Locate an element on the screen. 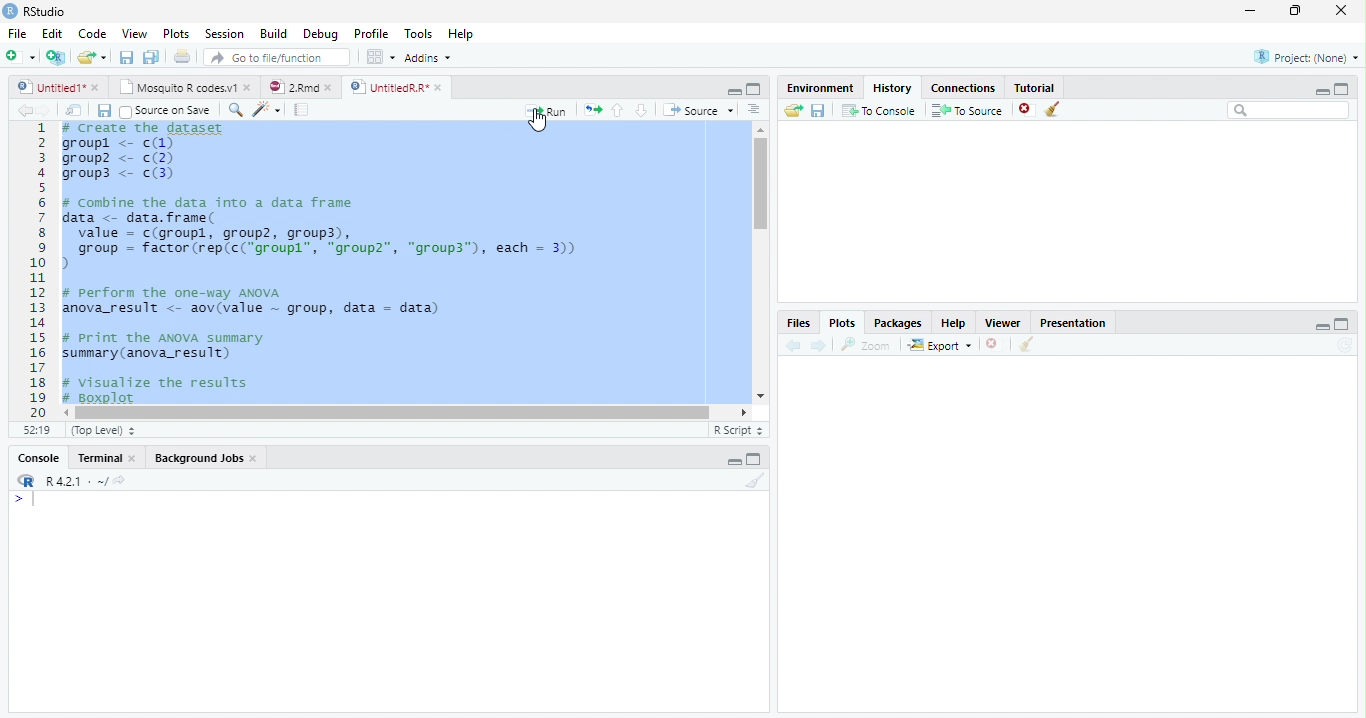  To Console is located at coordinates (879, 110).